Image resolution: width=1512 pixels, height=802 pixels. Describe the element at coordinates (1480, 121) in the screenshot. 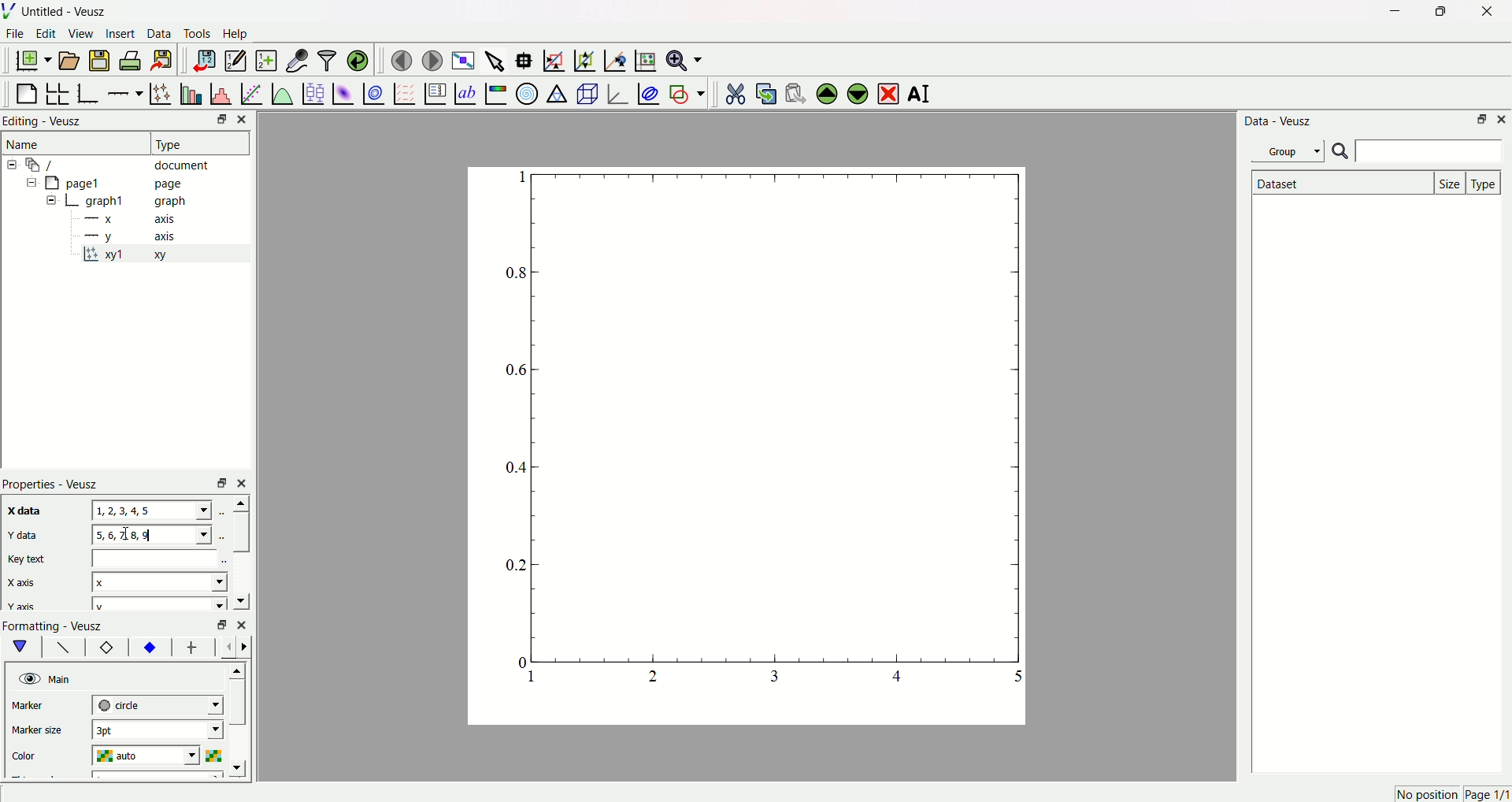

I see `Minimize` at that location.